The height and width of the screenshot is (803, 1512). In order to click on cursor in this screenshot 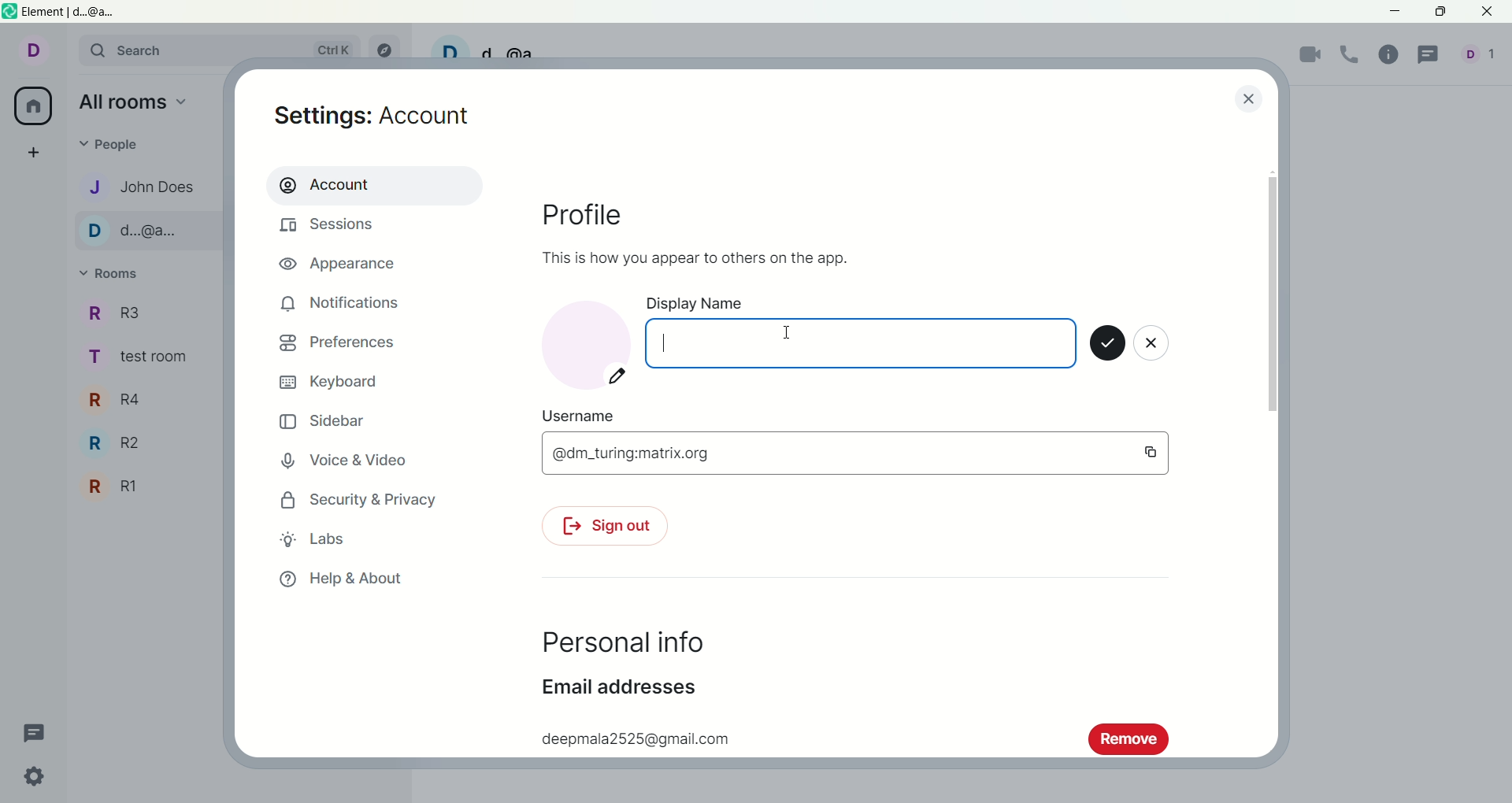, I will do `click(668, 343)`.